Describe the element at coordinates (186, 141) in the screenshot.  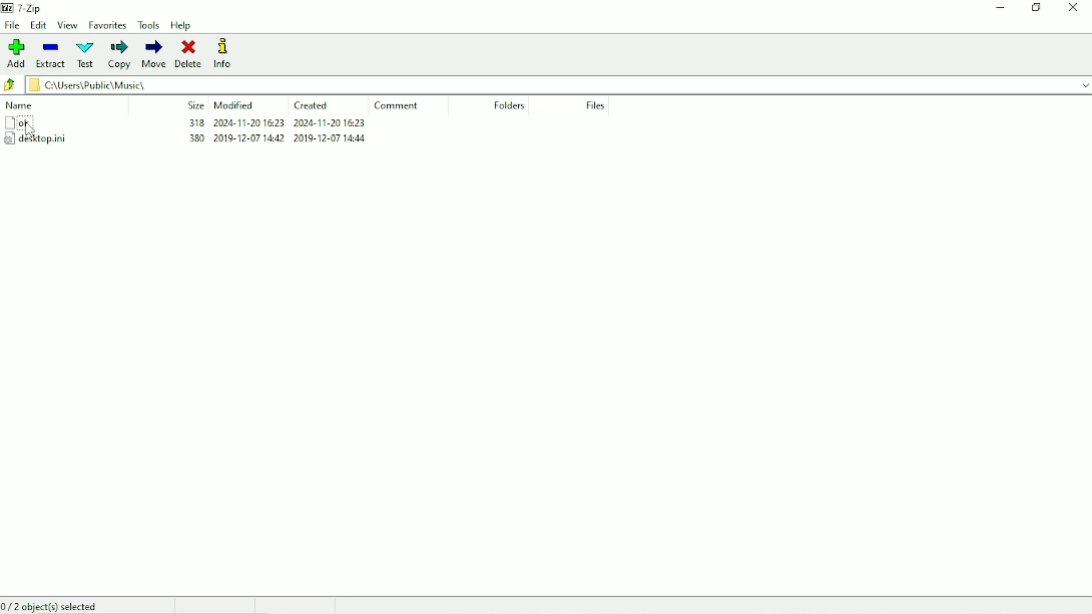
I see `desktop.ini` at that location.